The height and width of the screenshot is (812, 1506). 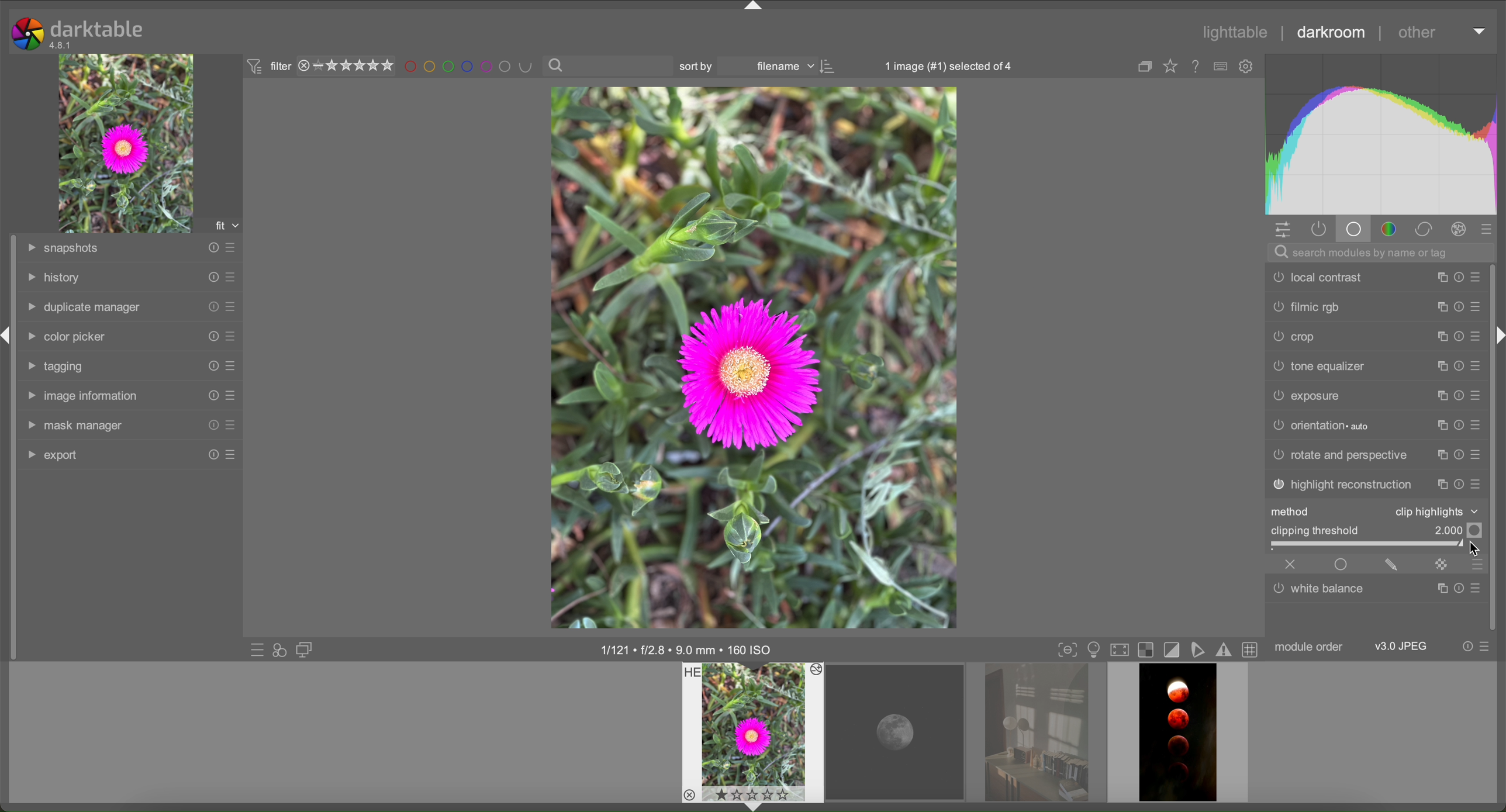 What do you see at coordinates (1341, 485) in the screenshot?
I see `highlight reconstruction` at bounding box center [1341, 485].